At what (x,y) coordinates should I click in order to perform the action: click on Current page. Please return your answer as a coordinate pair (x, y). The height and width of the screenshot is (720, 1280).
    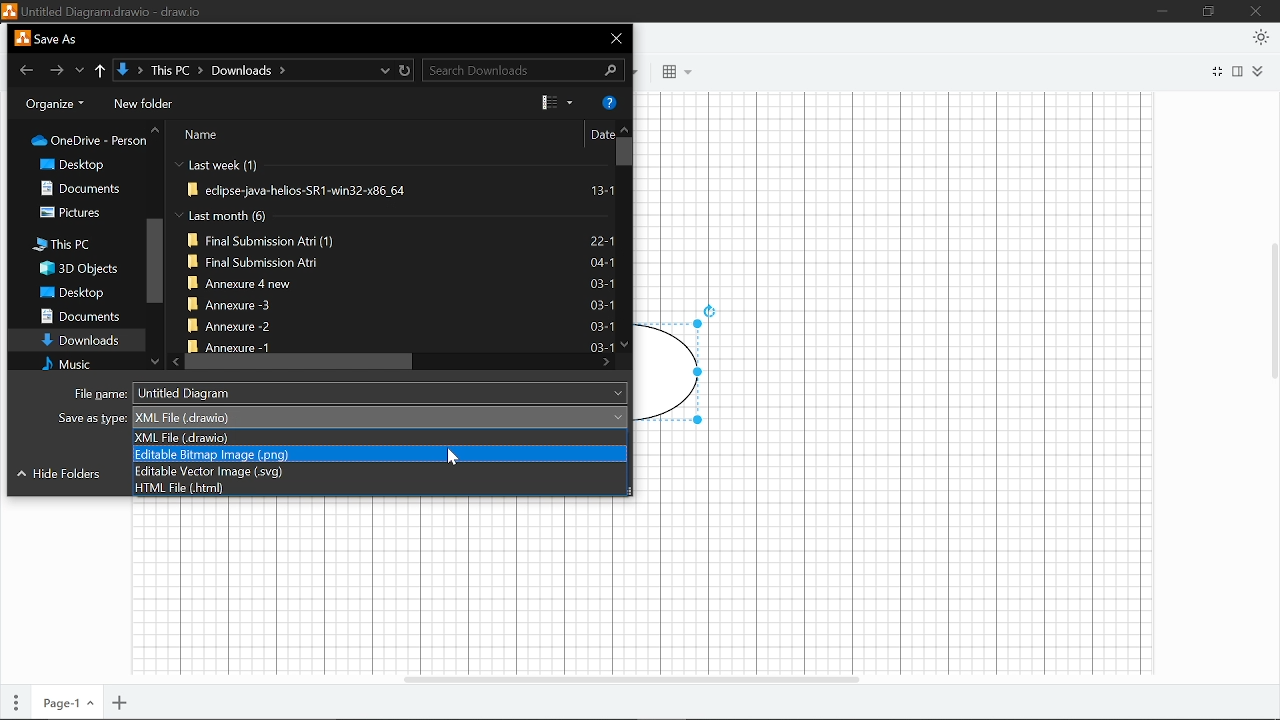
    Looking at the image, I should click on (67, 700).